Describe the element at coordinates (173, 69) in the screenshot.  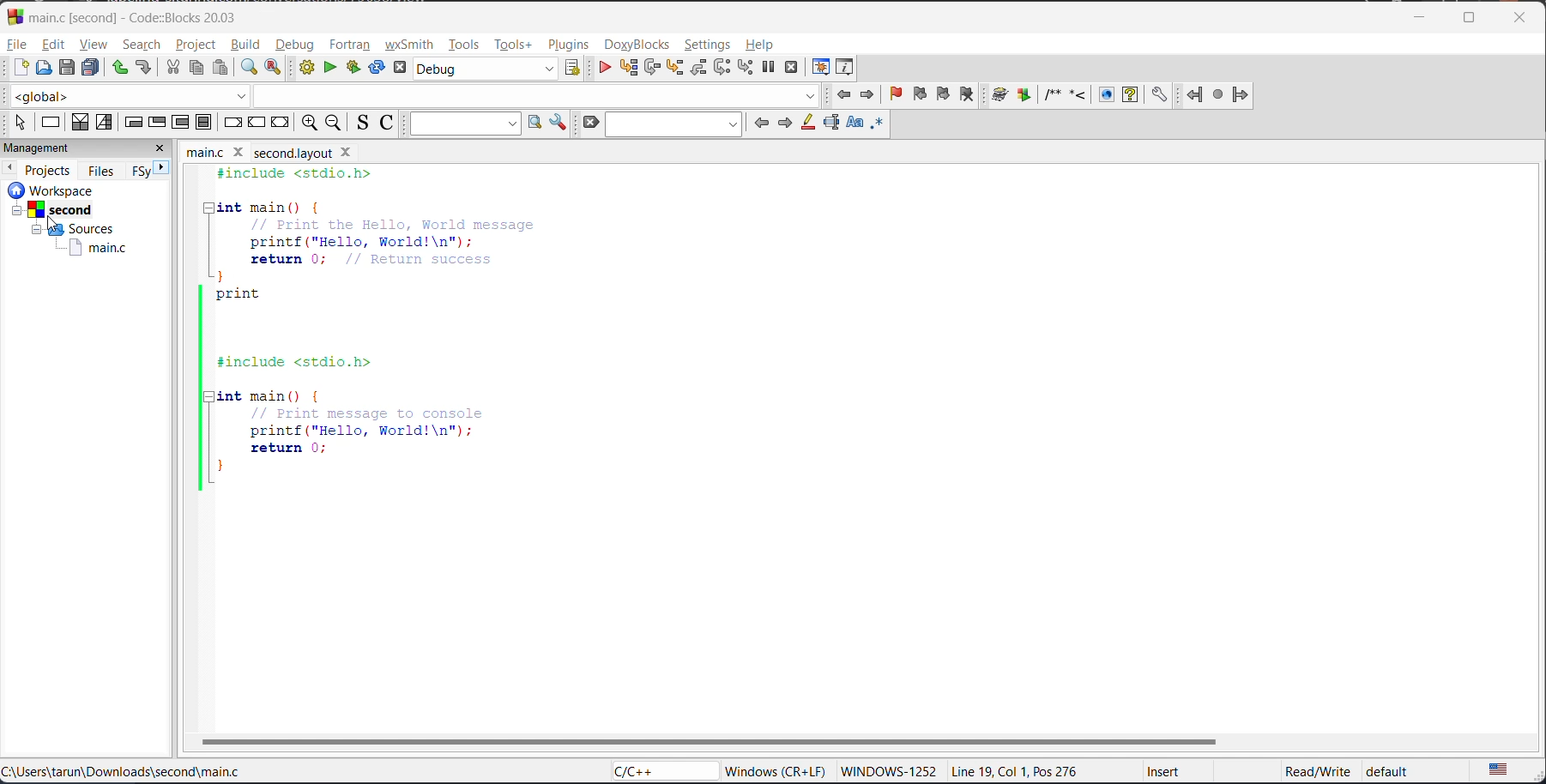
I see `cut` at that location.